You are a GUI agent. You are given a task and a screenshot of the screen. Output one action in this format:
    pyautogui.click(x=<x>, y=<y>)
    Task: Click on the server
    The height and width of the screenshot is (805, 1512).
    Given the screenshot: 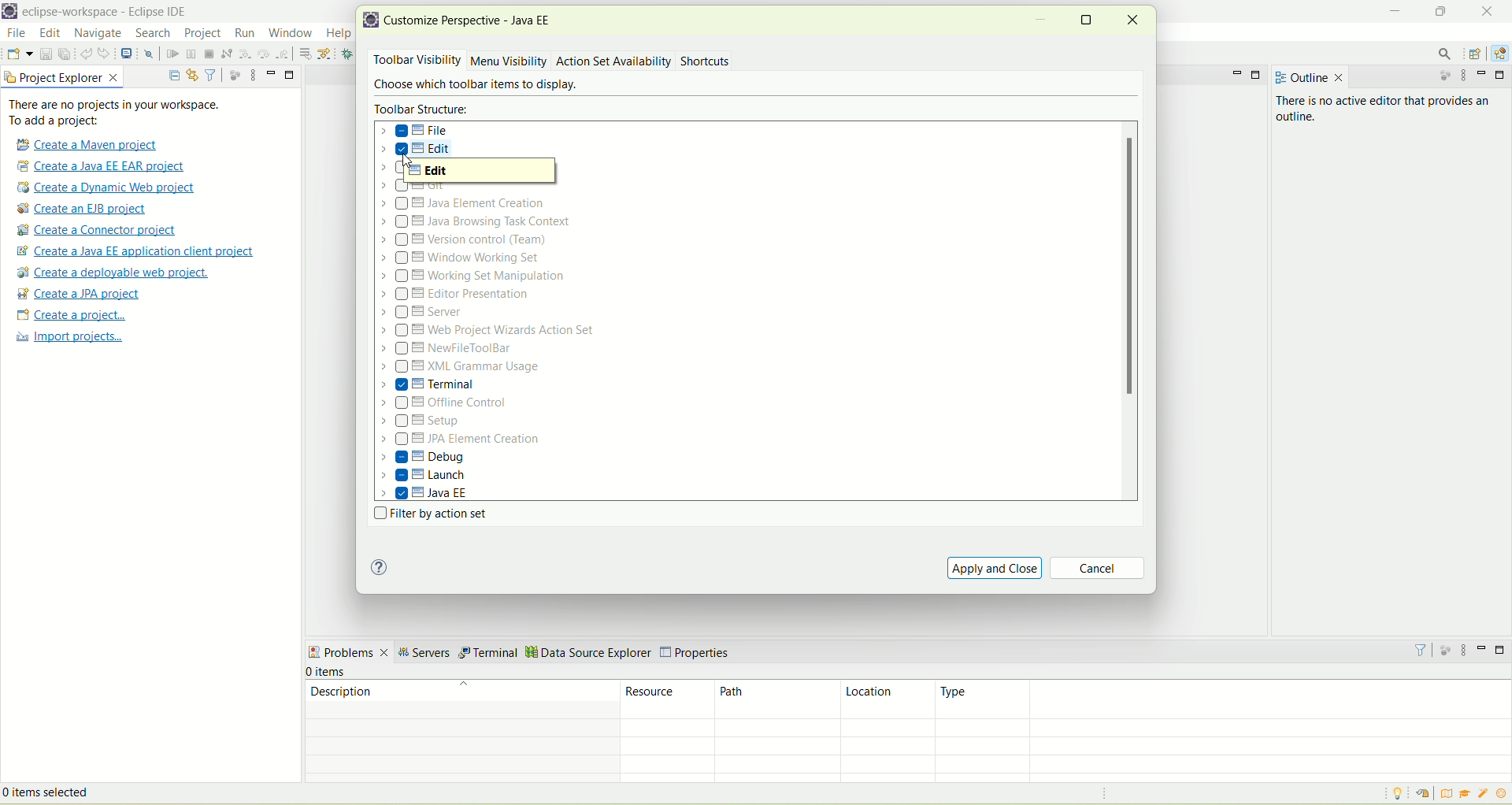 What is the action you would take?
    pyautogui.click(x=424, y=314)
    